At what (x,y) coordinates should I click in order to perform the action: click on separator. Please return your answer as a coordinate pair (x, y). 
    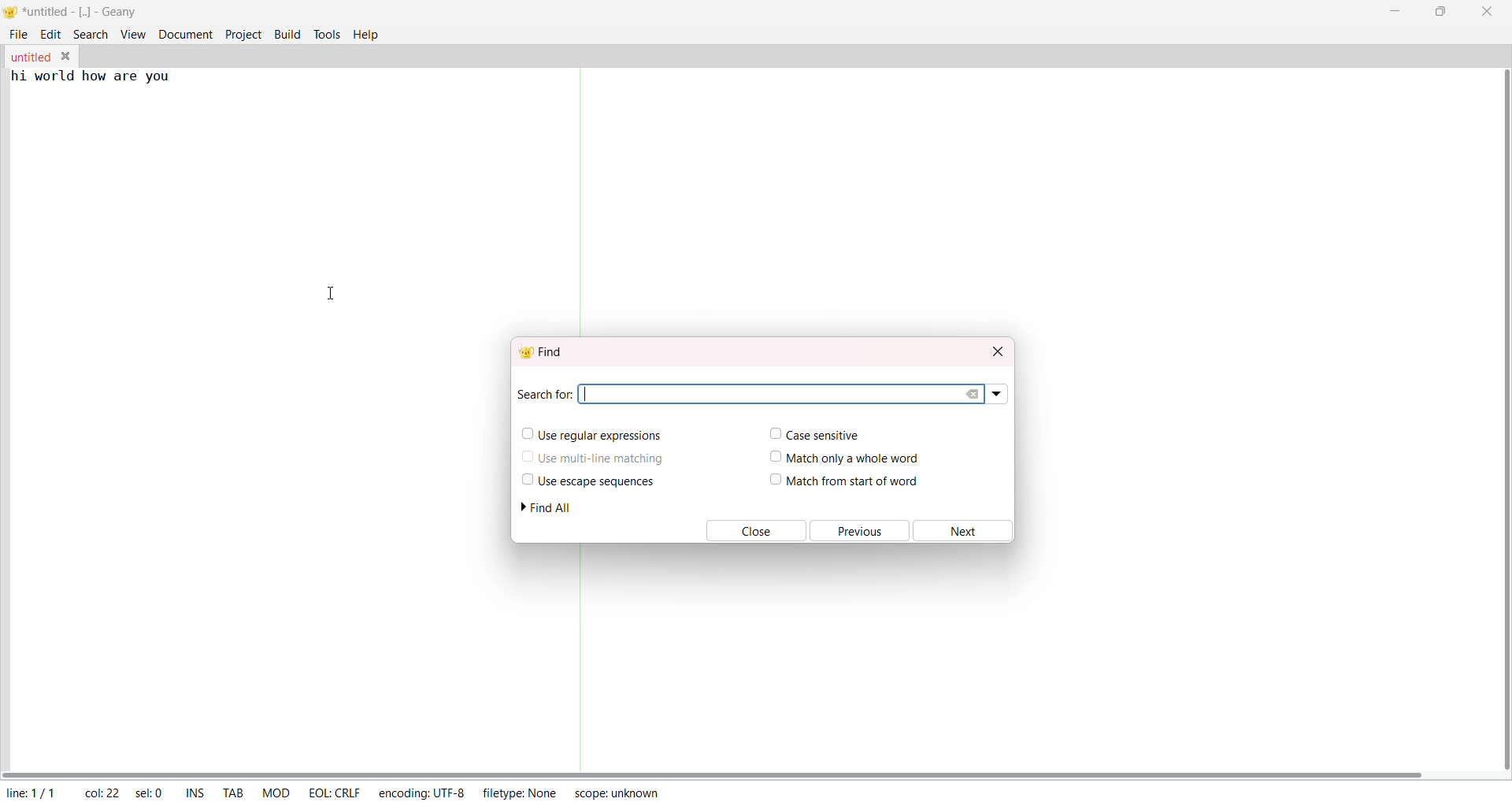
    Looking at the image, I should click on (576, 199).